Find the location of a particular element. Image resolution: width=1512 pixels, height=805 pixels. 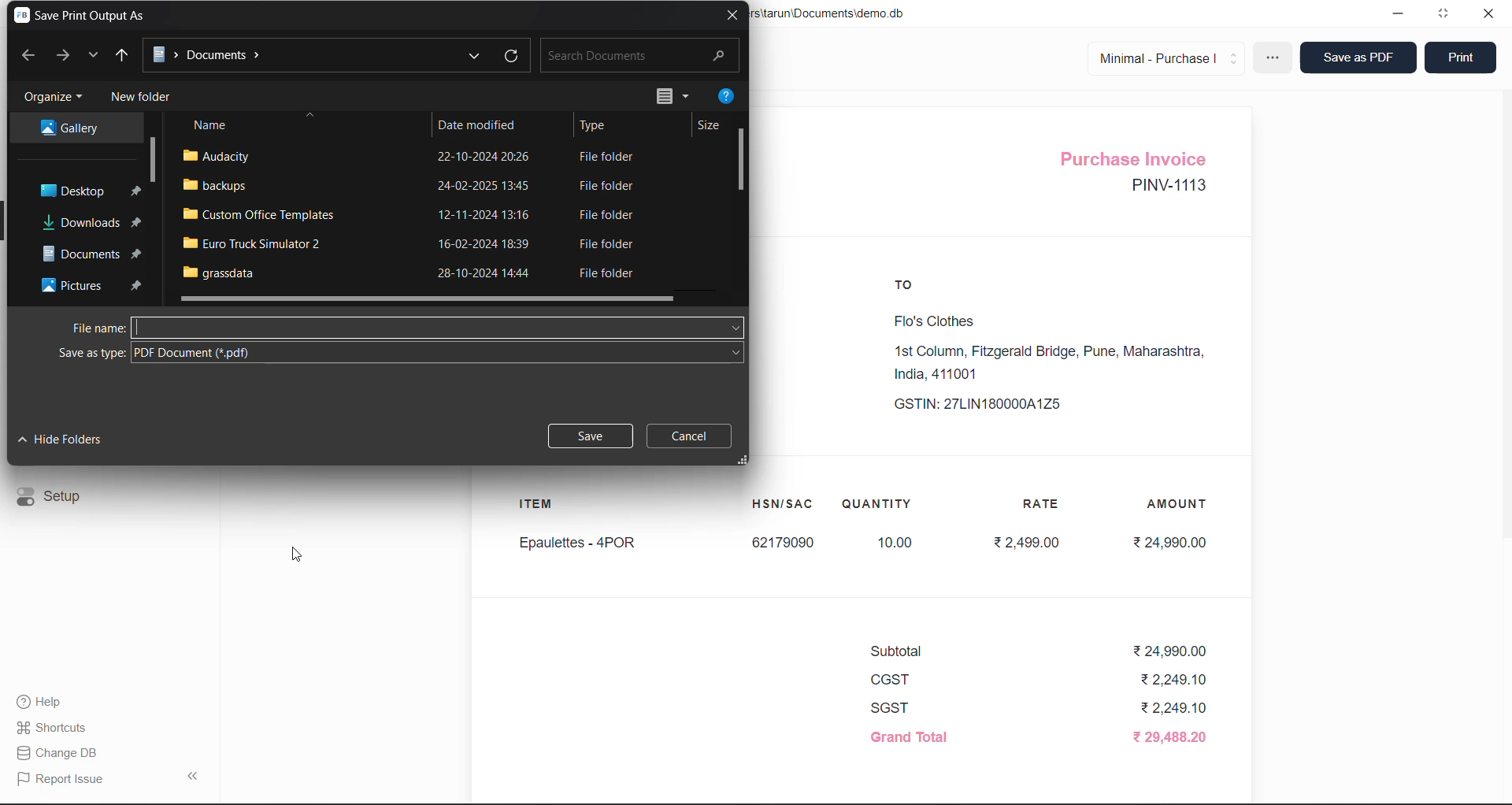

HSN/SAC is located at coordinates (785, 504).